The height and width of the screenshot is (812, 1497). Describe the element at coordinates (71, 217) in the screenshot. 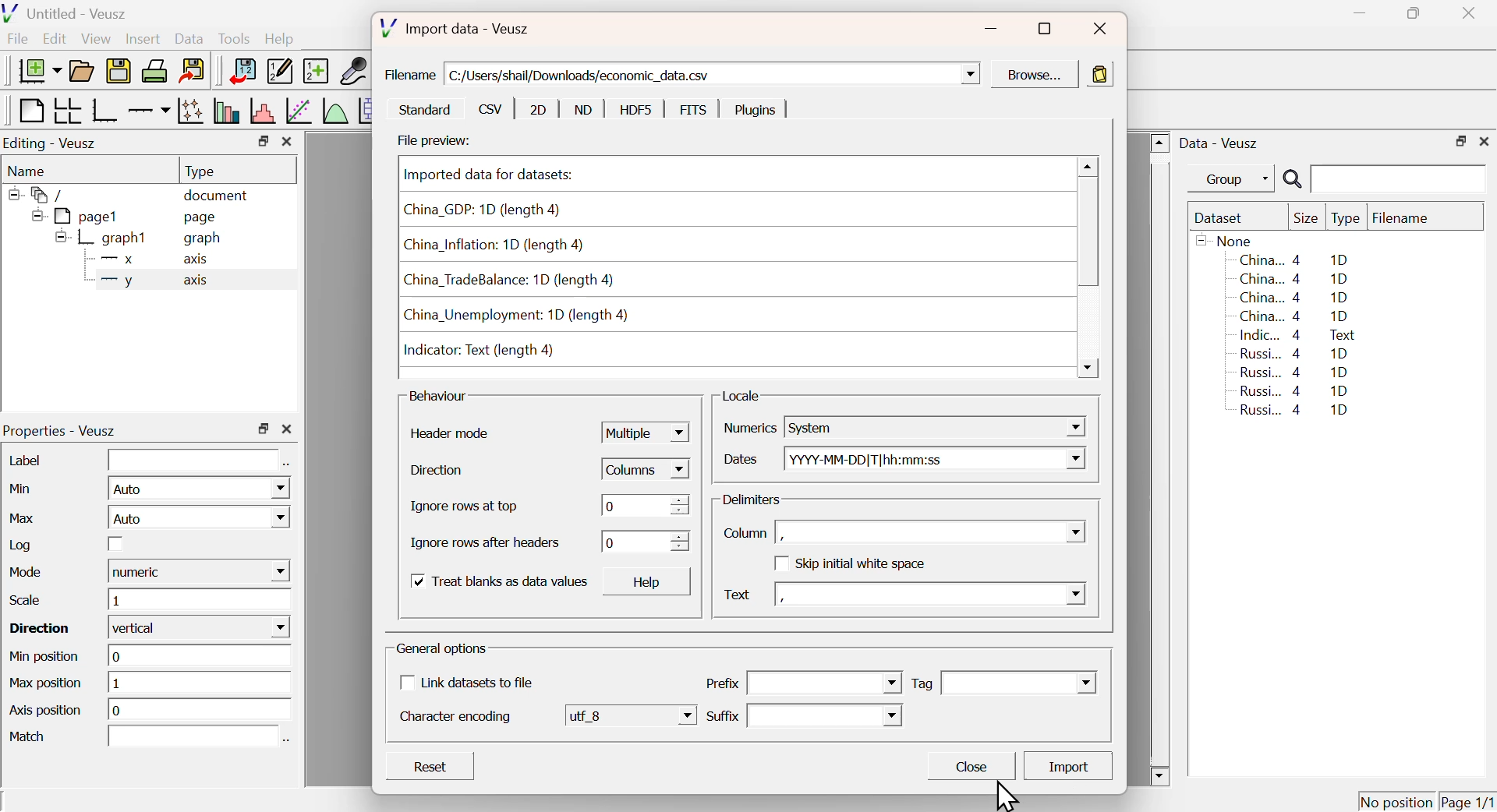

I see `pagel` at that location.